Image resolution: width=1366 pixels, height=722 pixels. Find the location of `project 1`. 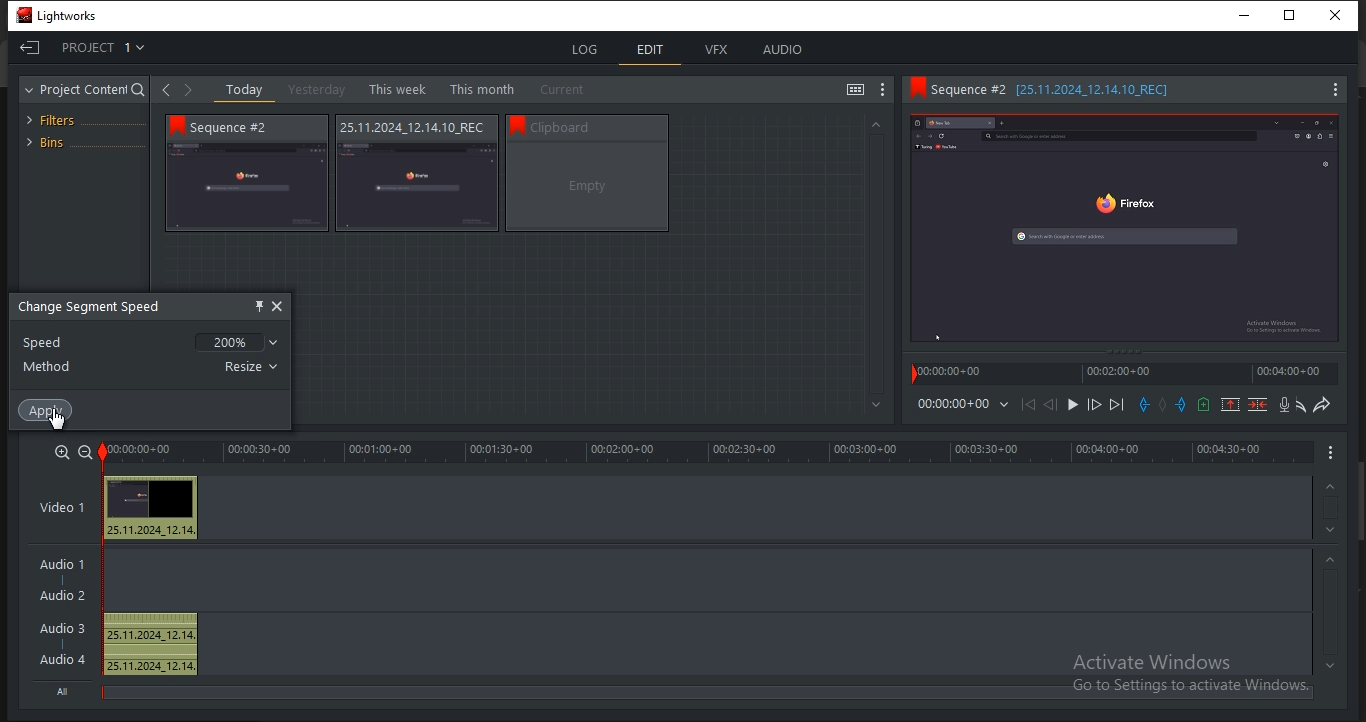

project 1 is located at coordinates (90, 49).